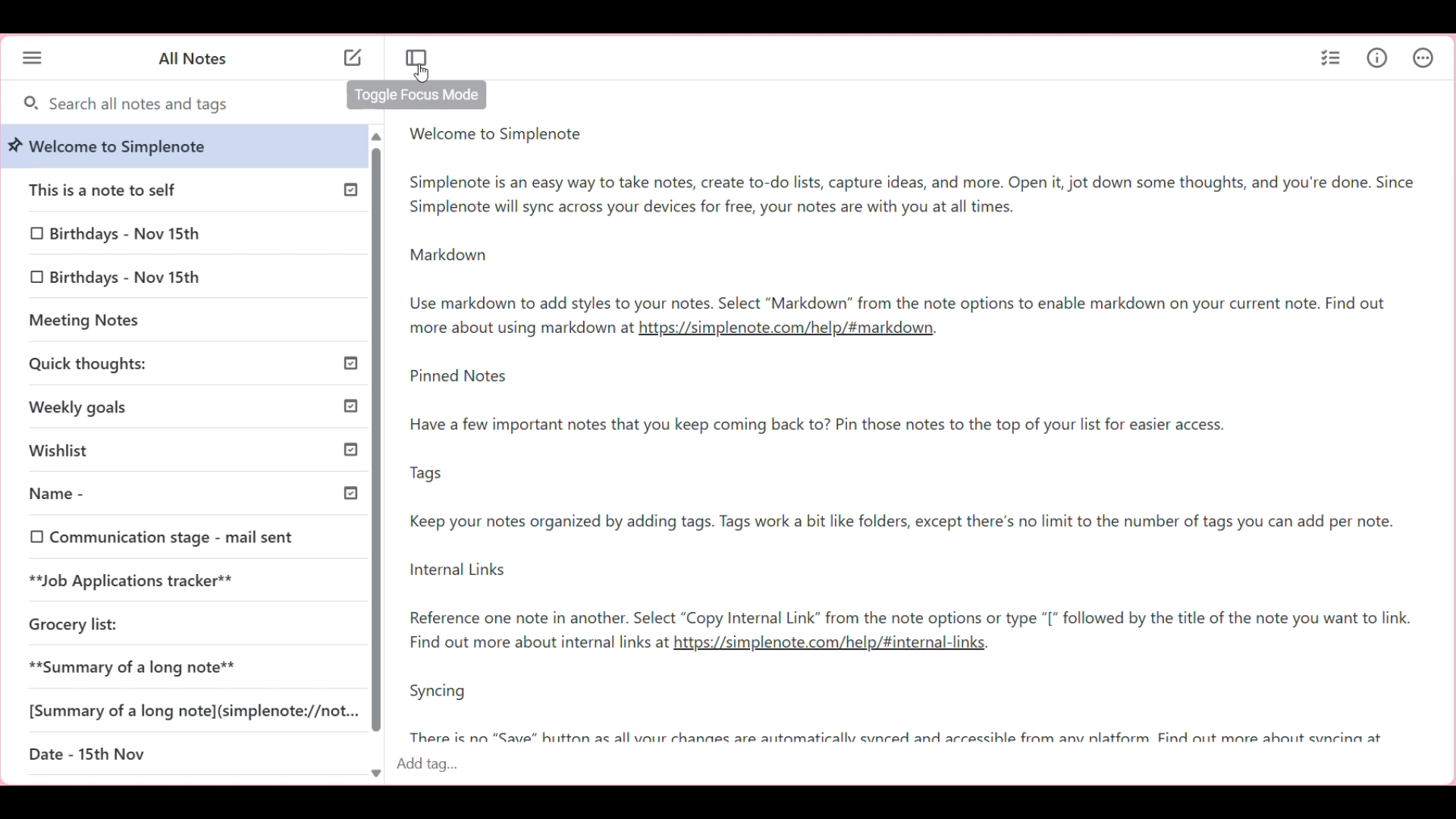 This screenshot has height=819, width=1456. Describe the element at coordinates (1331, 59) in the screenshot. I see `Insert checklist` at that location.